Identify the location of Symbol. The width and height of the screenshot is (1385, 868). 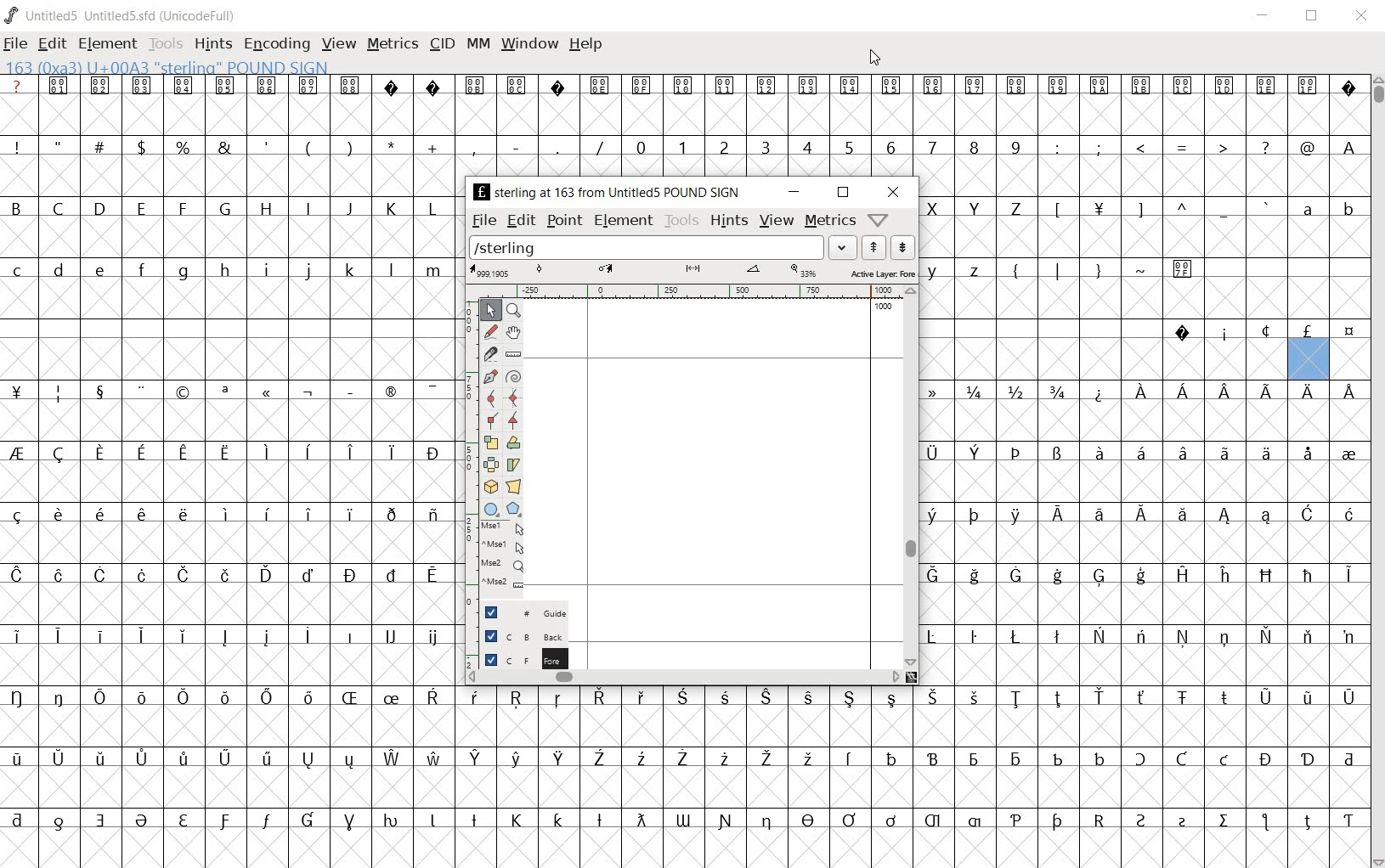
(935, 86).